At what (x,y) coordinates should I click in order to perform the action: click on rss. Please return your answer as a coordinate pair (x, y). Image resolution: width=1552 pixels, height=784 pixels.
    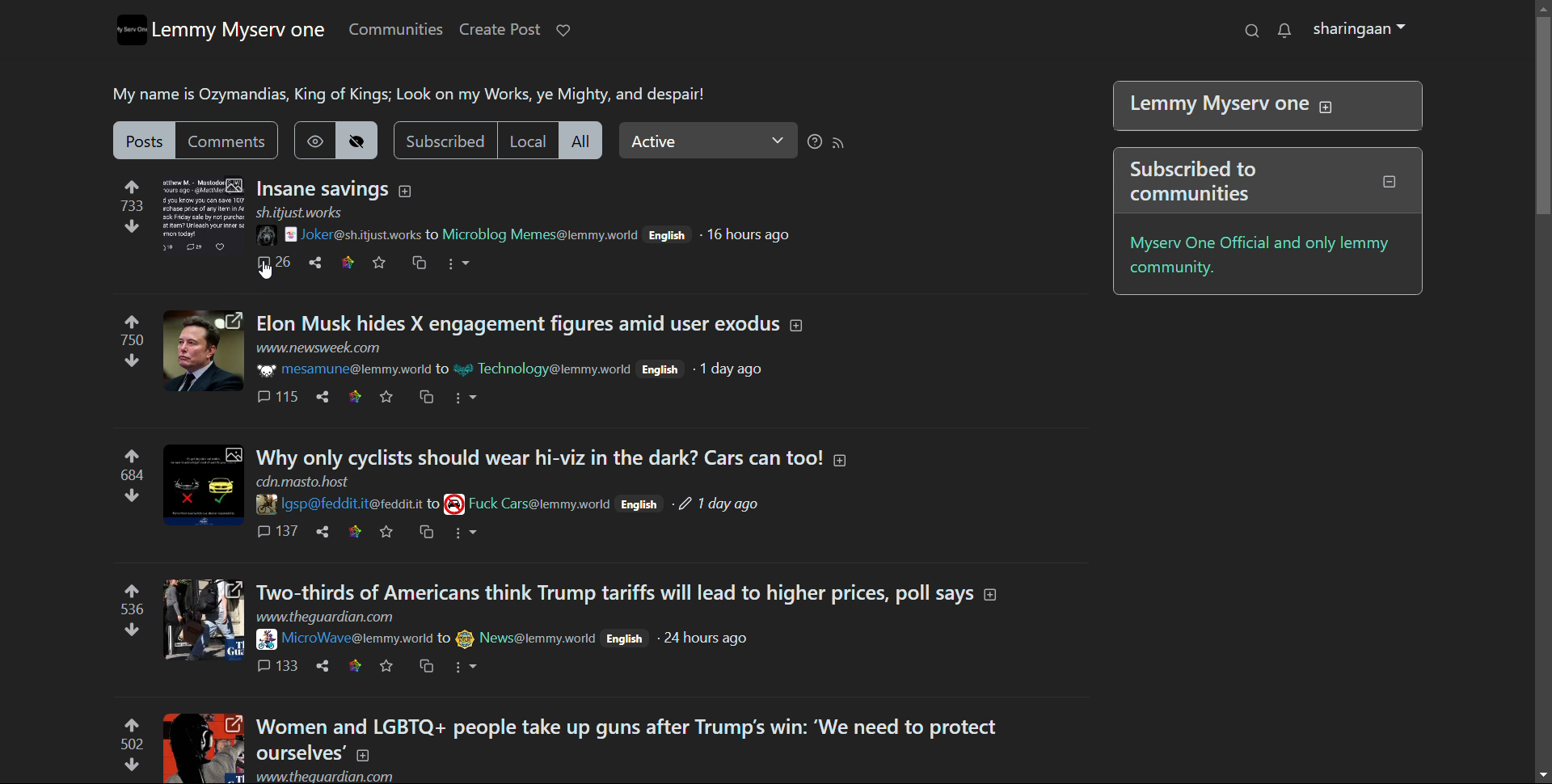
    Looking at the image, I should click on (839, 141).